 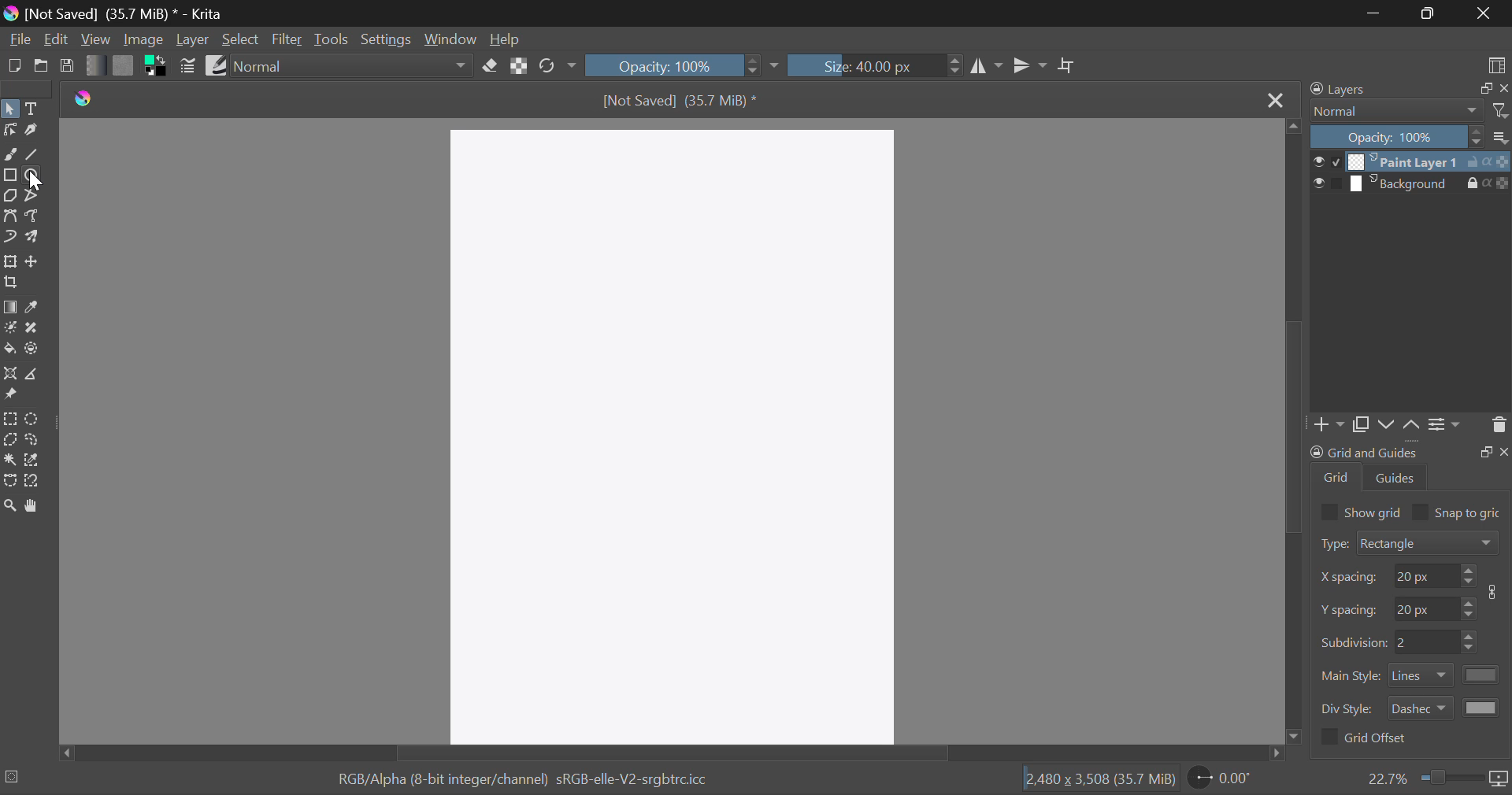 What do you see at coordinates (384, 39) in the screenshot?
I see `Settings` at bounding box center [384, 39].